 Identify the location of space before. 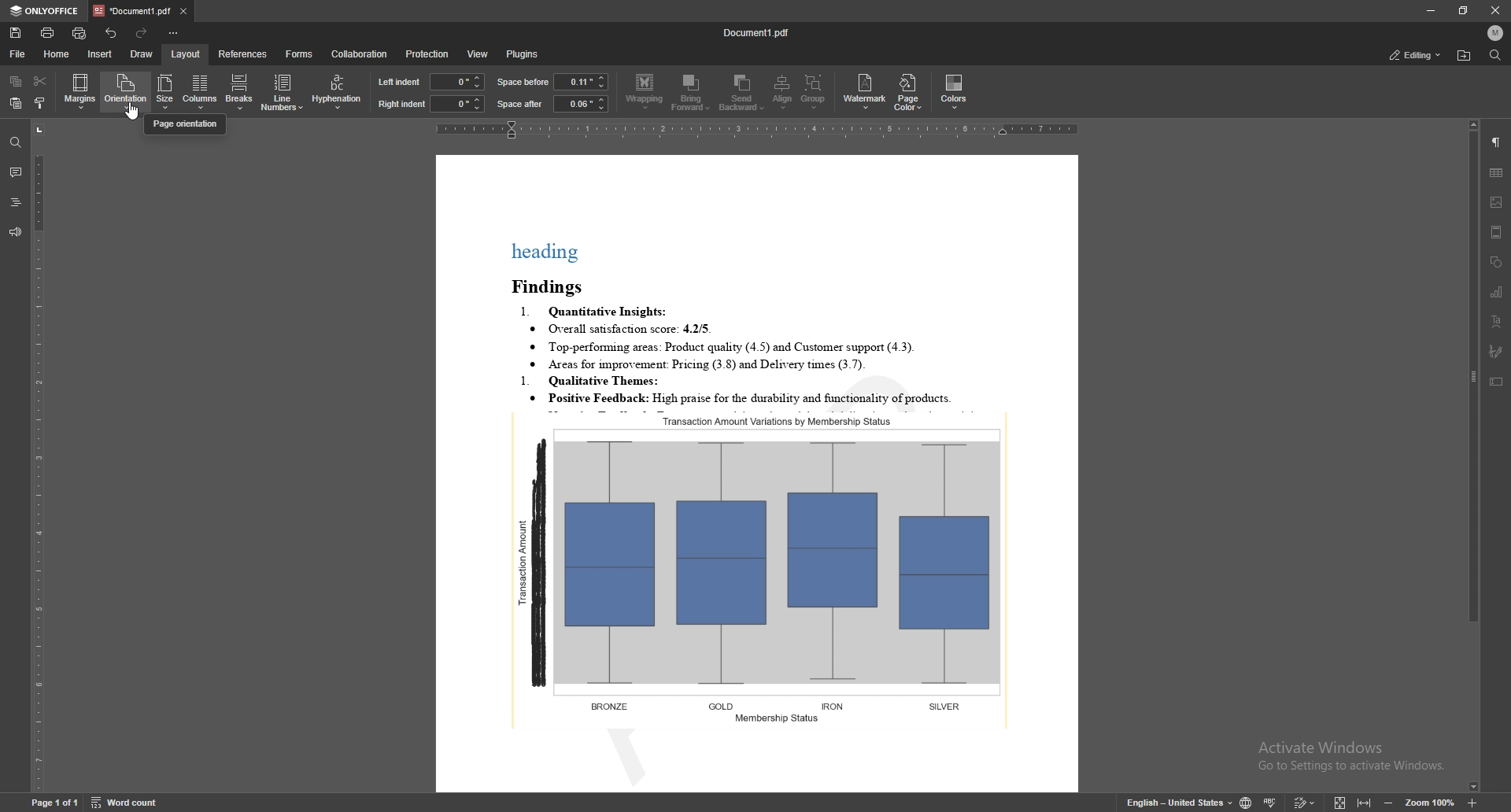
(523, 82).